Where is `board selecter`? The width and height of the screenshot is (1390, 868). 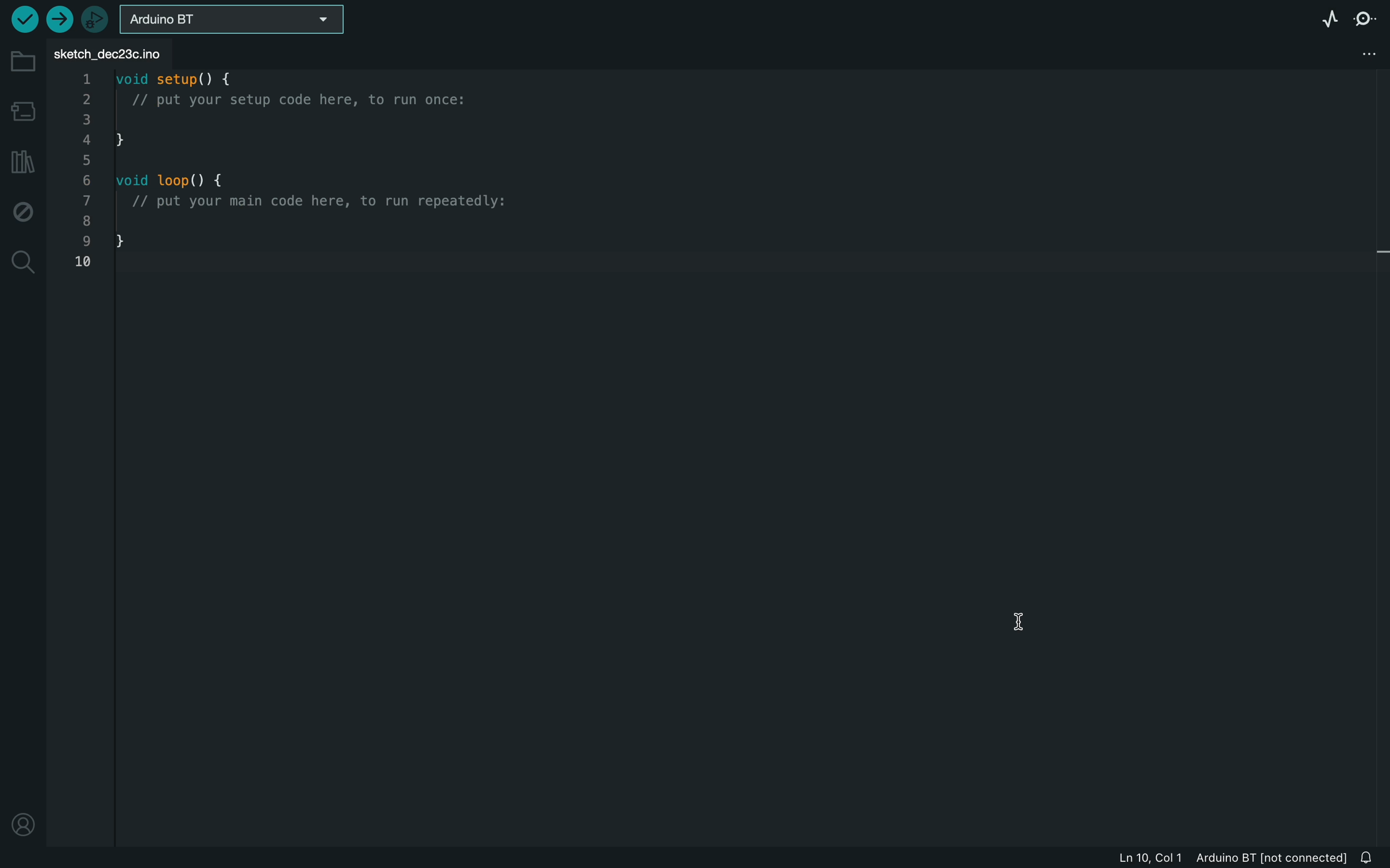 board selecter is located at coordinates (230, 19).